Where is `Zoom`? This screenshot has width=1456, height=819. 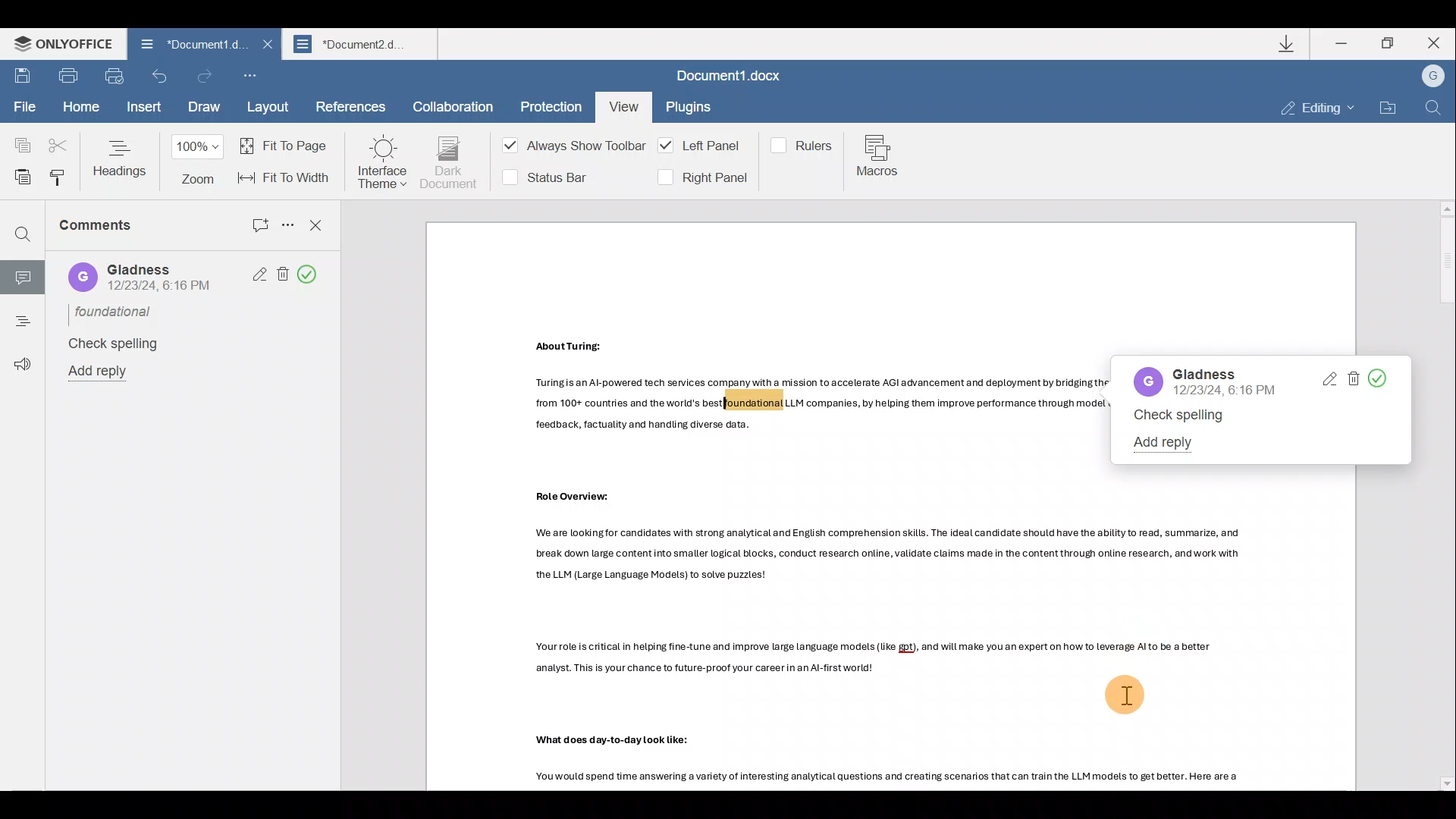 Zoom is located at coordinates (200, 162).